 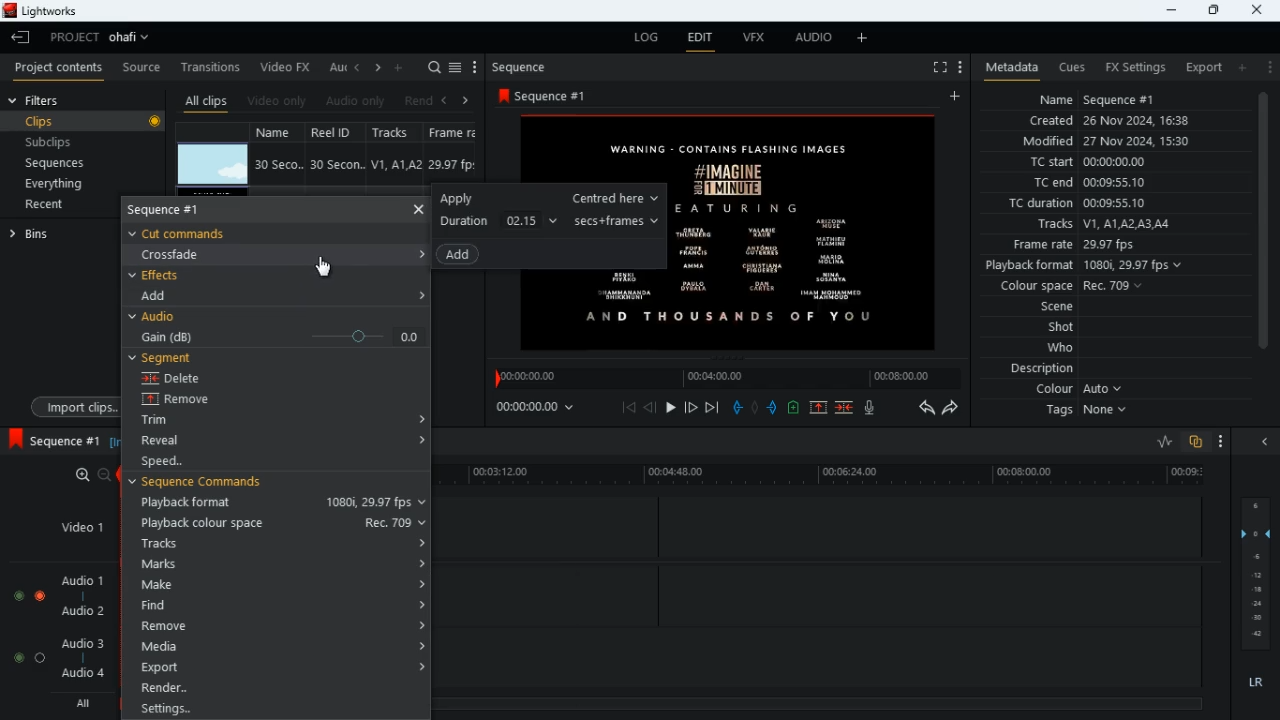 I want to click on all clips, so click(x=206, y=101).